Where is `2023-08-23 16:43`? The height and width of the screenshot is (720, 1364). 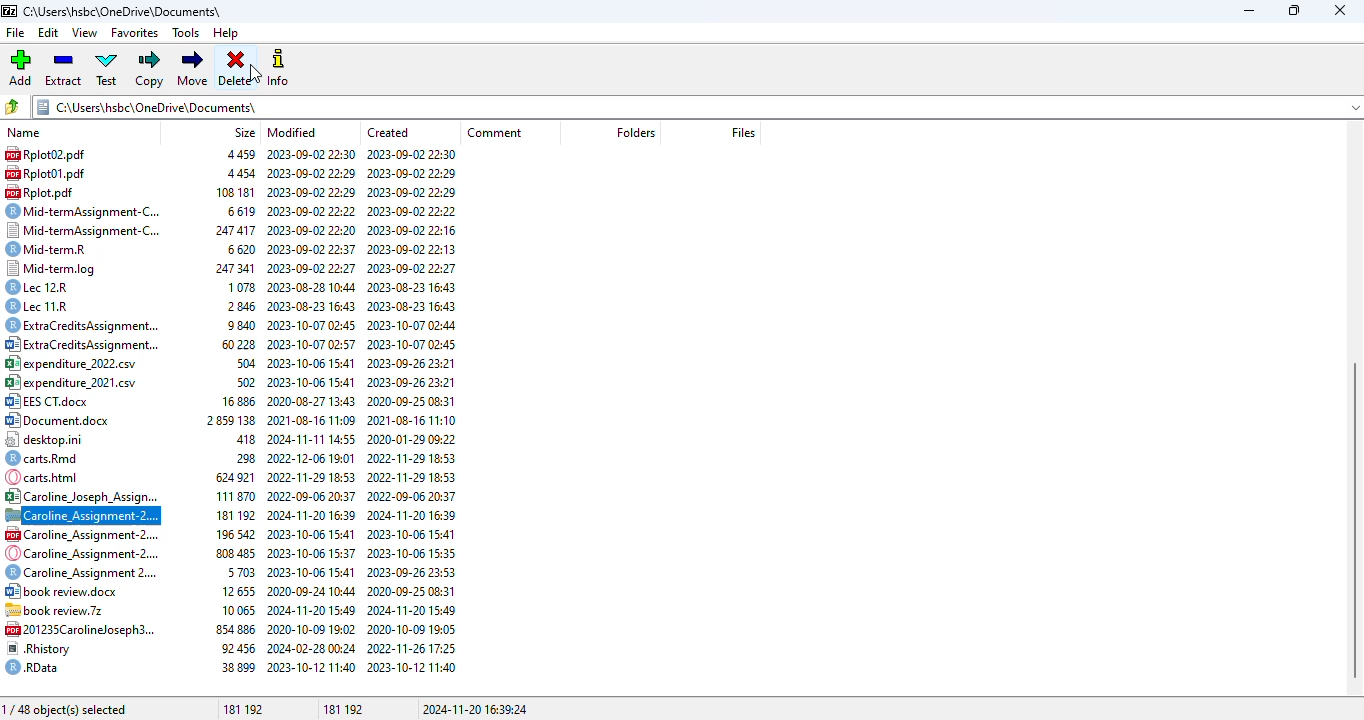 2023-08-23 16:43 is located at coordinates (416, 306).